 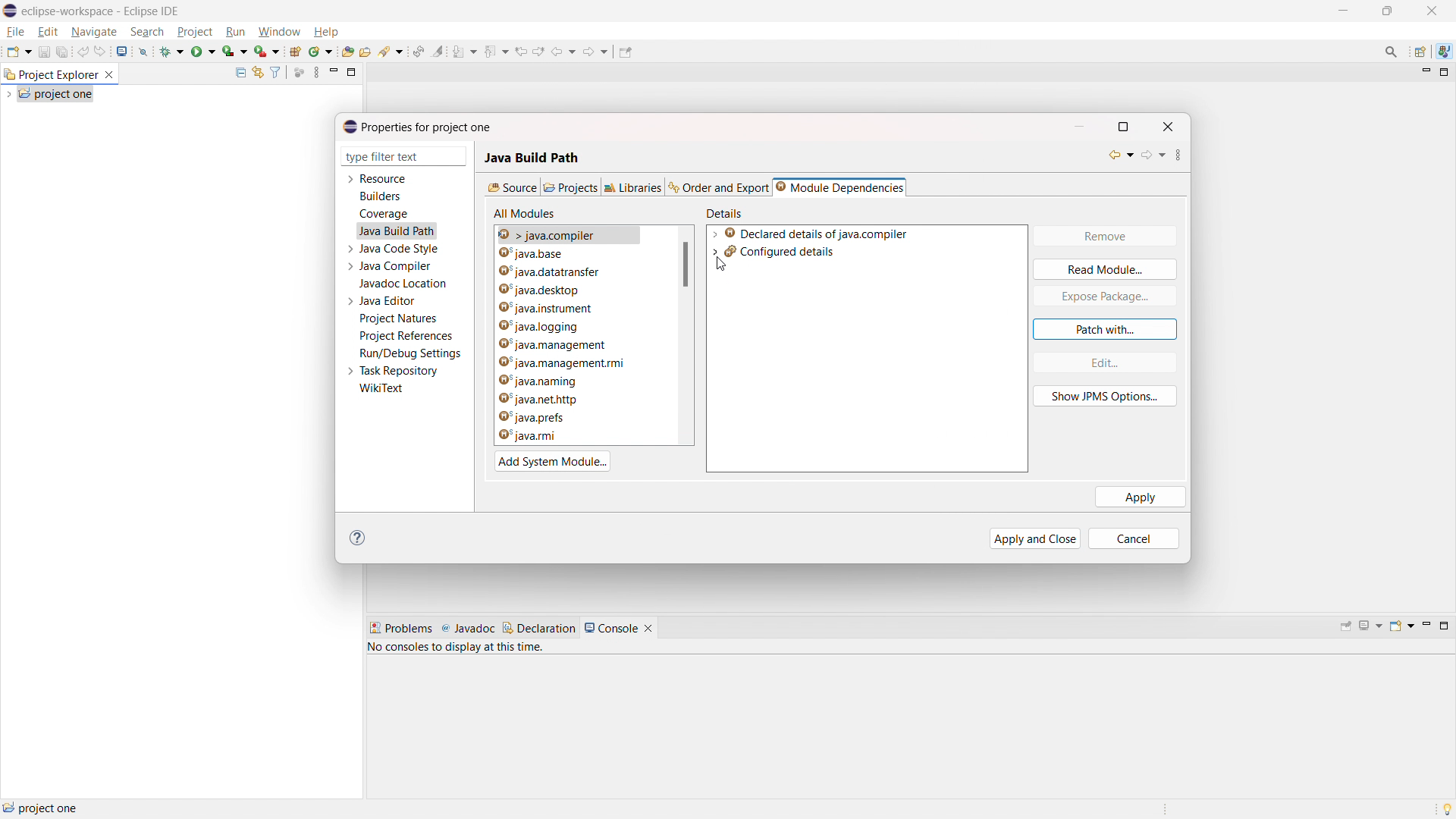 I want to click on search, so click(x=148, y=31).